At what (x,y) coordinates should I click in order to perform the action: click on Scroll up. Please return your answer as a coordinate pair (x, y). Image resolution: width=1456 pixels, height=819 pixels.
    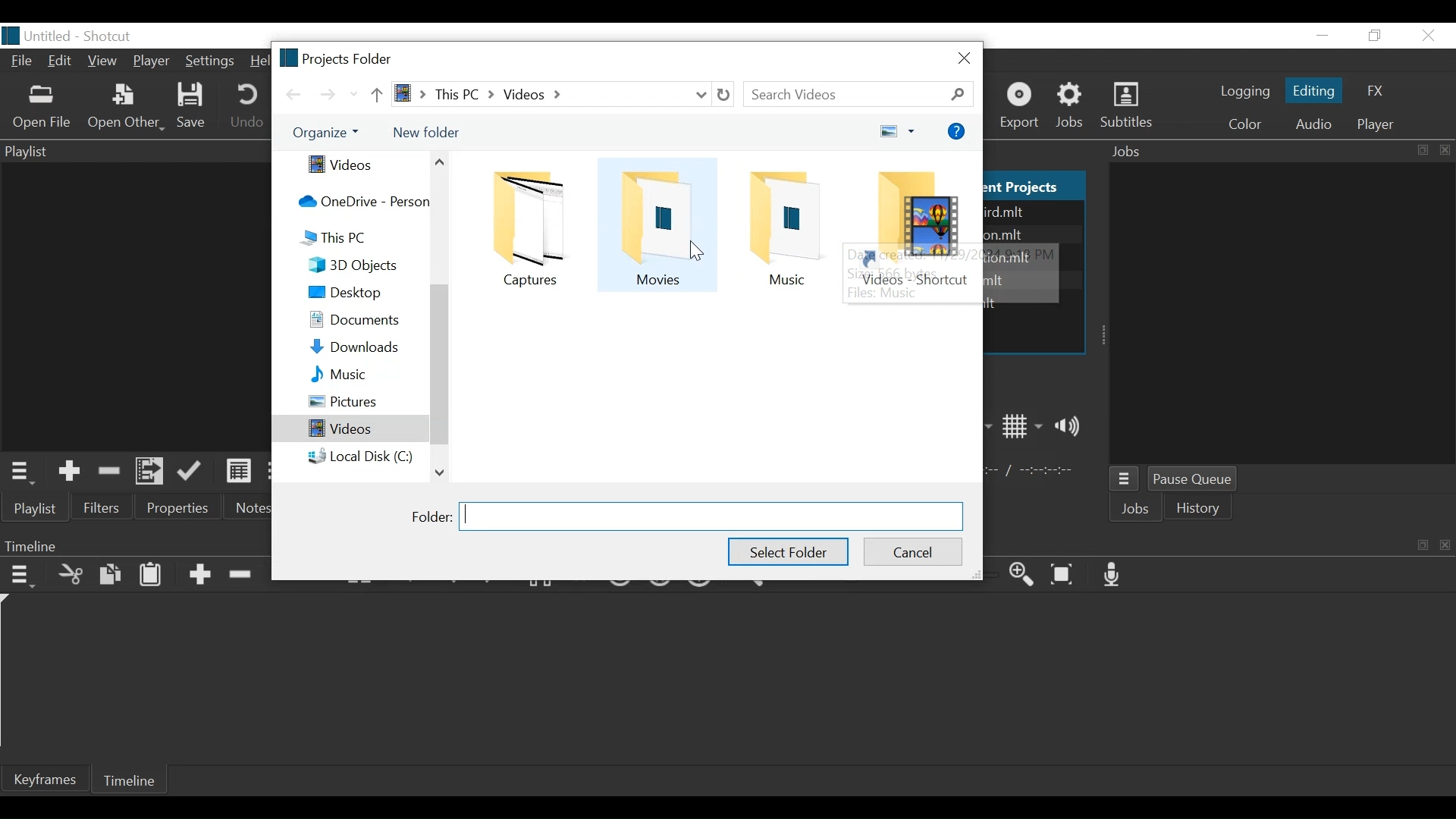
    Looking at the image, I should click on (438, 162).